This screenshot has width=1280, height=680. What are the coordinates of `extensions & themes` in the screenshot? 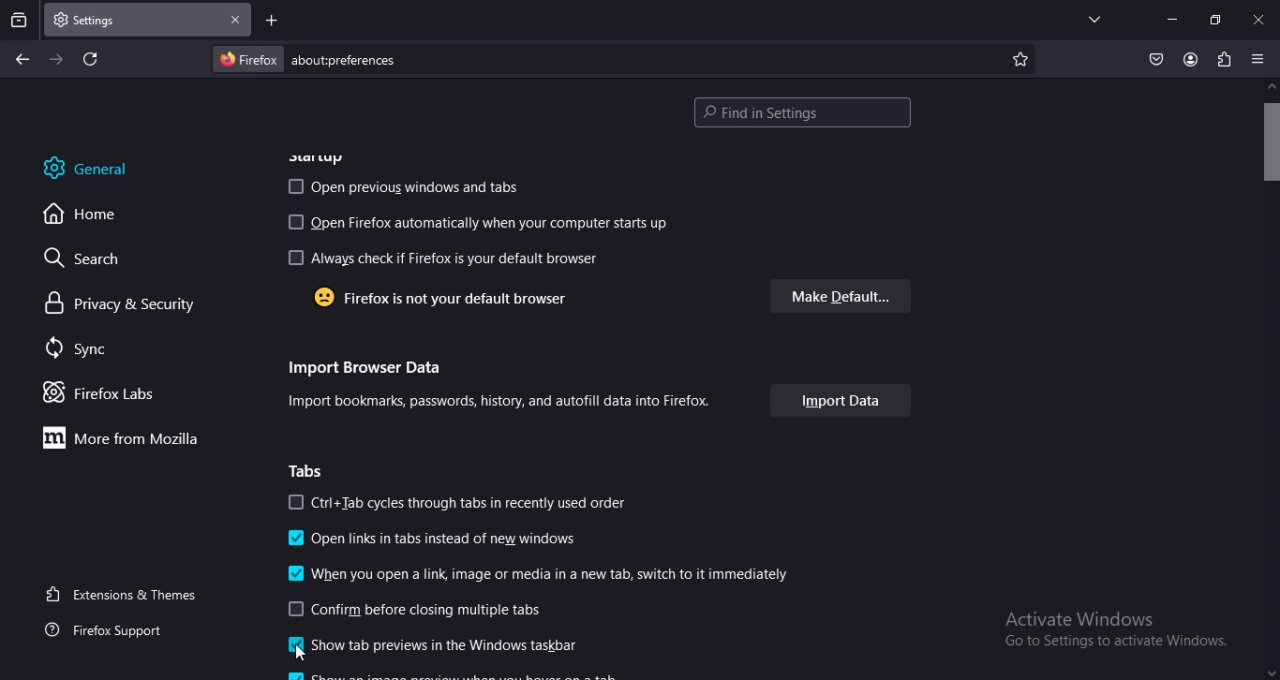 It's located at (126, 594).